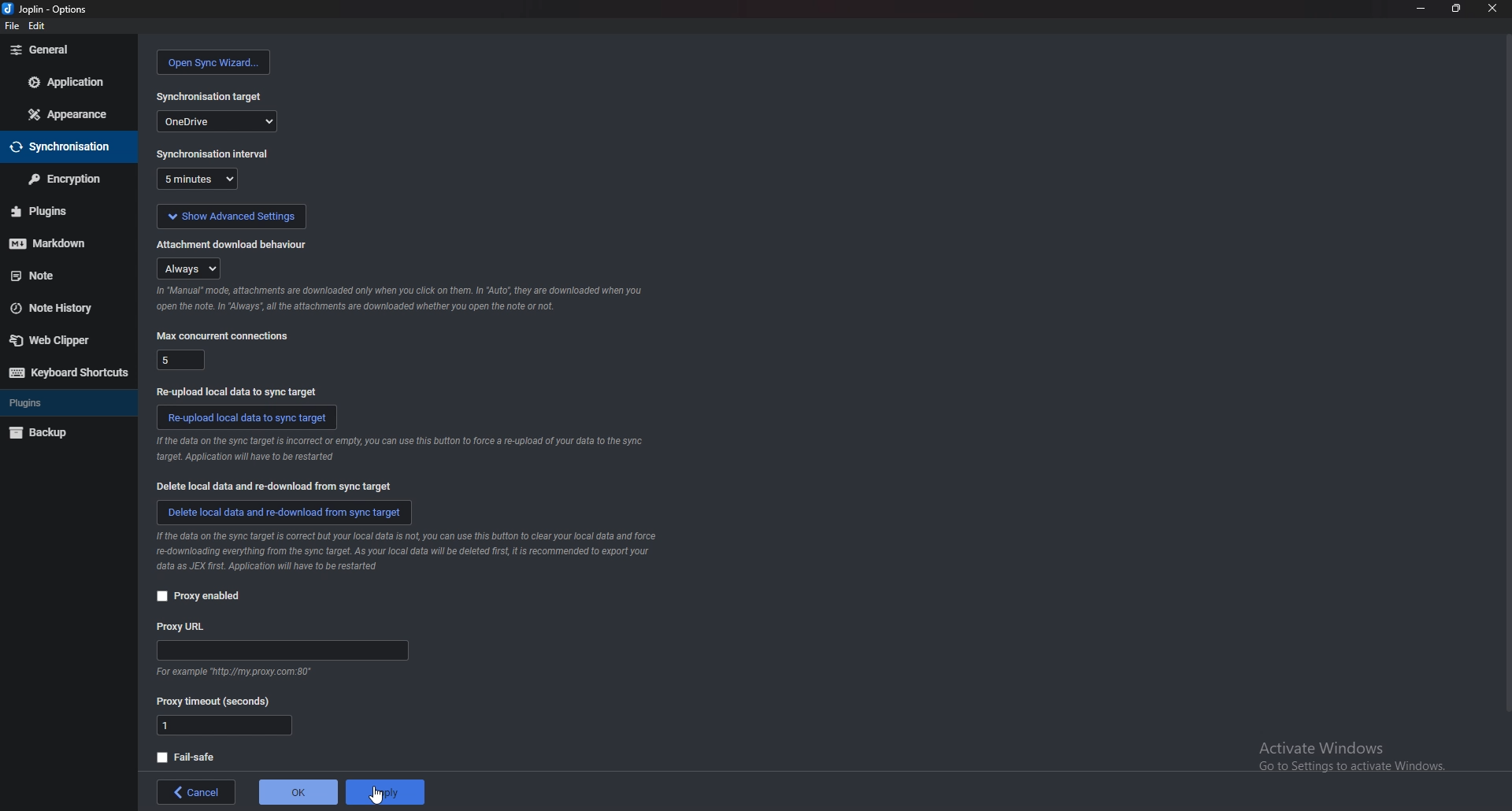 This screenshot has width=1512, height=811. Describe the element at coordinates (66, 178) in the screenshot. I see `encryption` at that location.